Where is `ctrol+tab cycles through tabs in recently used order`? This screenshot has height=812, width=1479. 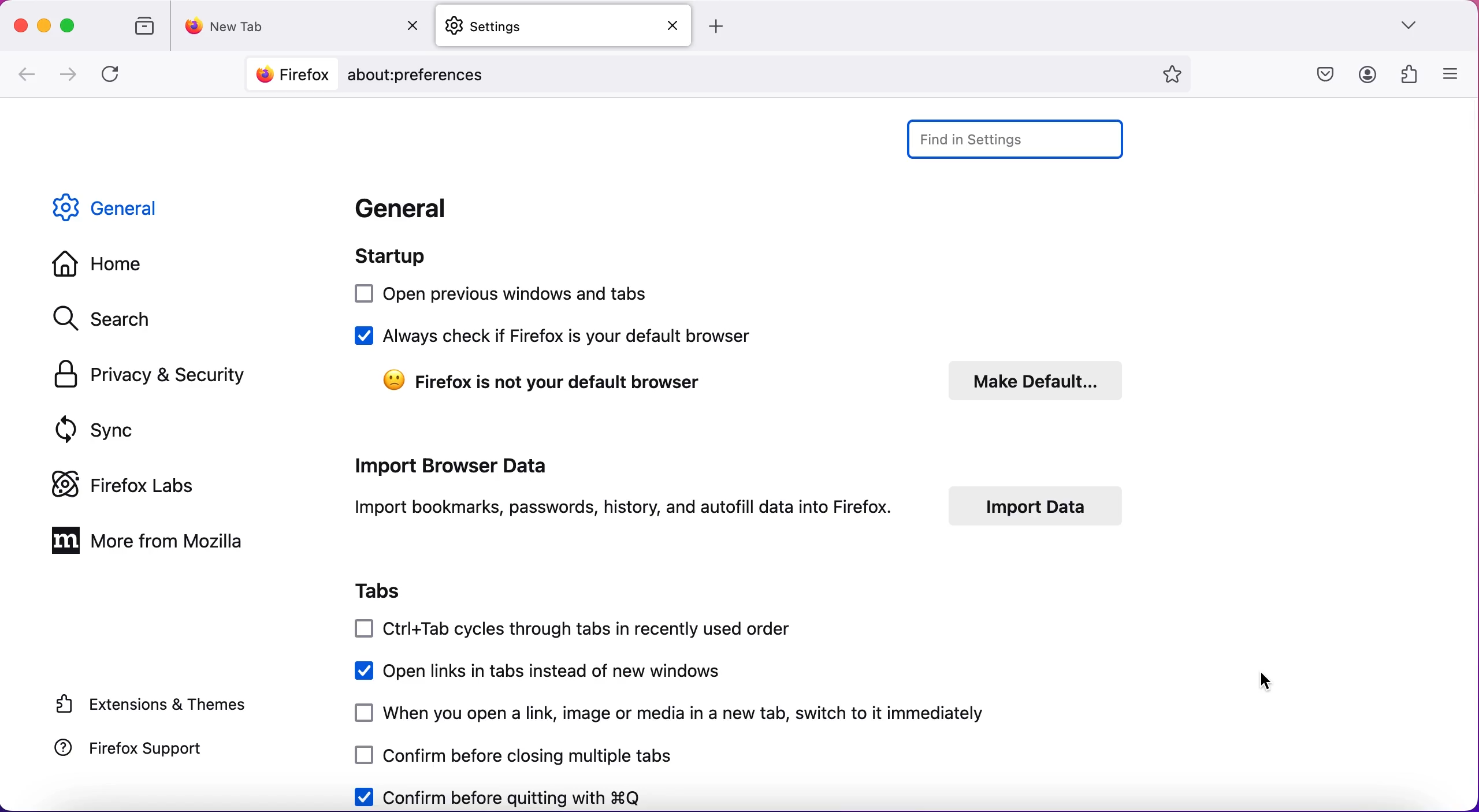 ctrol+tab cycles through tabs in recently used order is located at coordinates (592, 629).